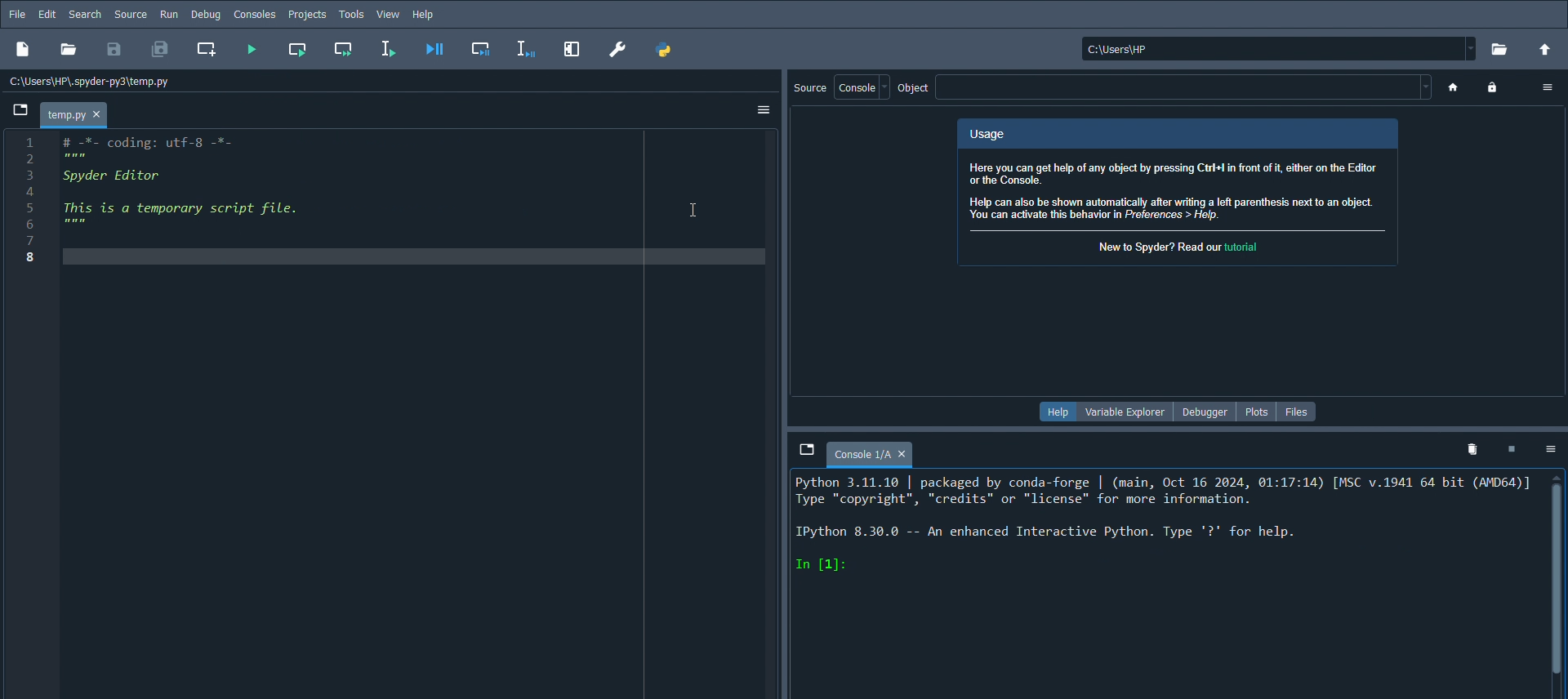 Image resolution: width=1568 pixels, height=699 pixels. Describe the element at coordinates (796, 449) in the screenshot. I see `Browse tabs` at that location.